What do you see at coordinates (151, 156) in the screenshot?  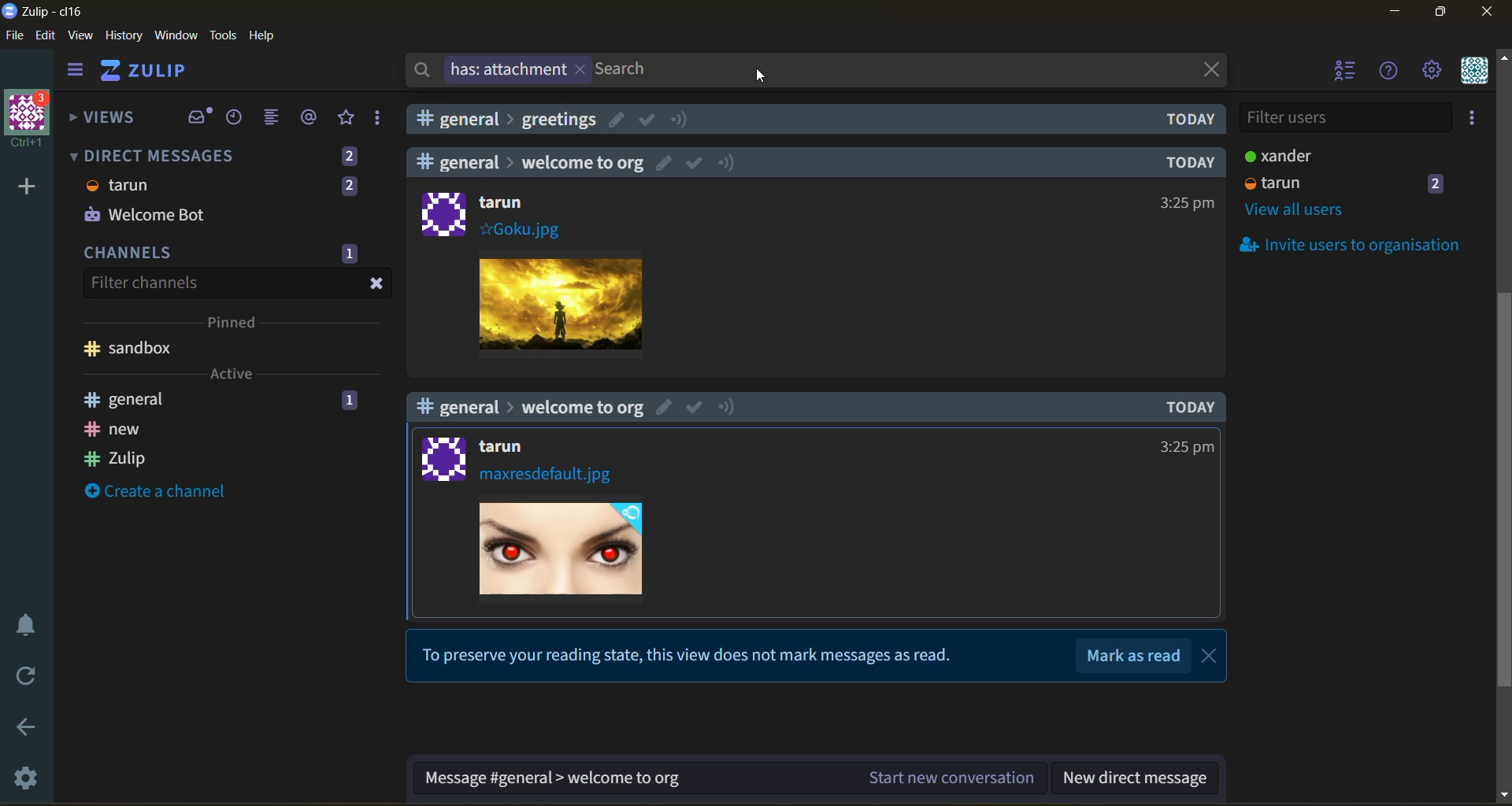 I see `DIRECT MESSAGES` at bounding box center [151, 156].